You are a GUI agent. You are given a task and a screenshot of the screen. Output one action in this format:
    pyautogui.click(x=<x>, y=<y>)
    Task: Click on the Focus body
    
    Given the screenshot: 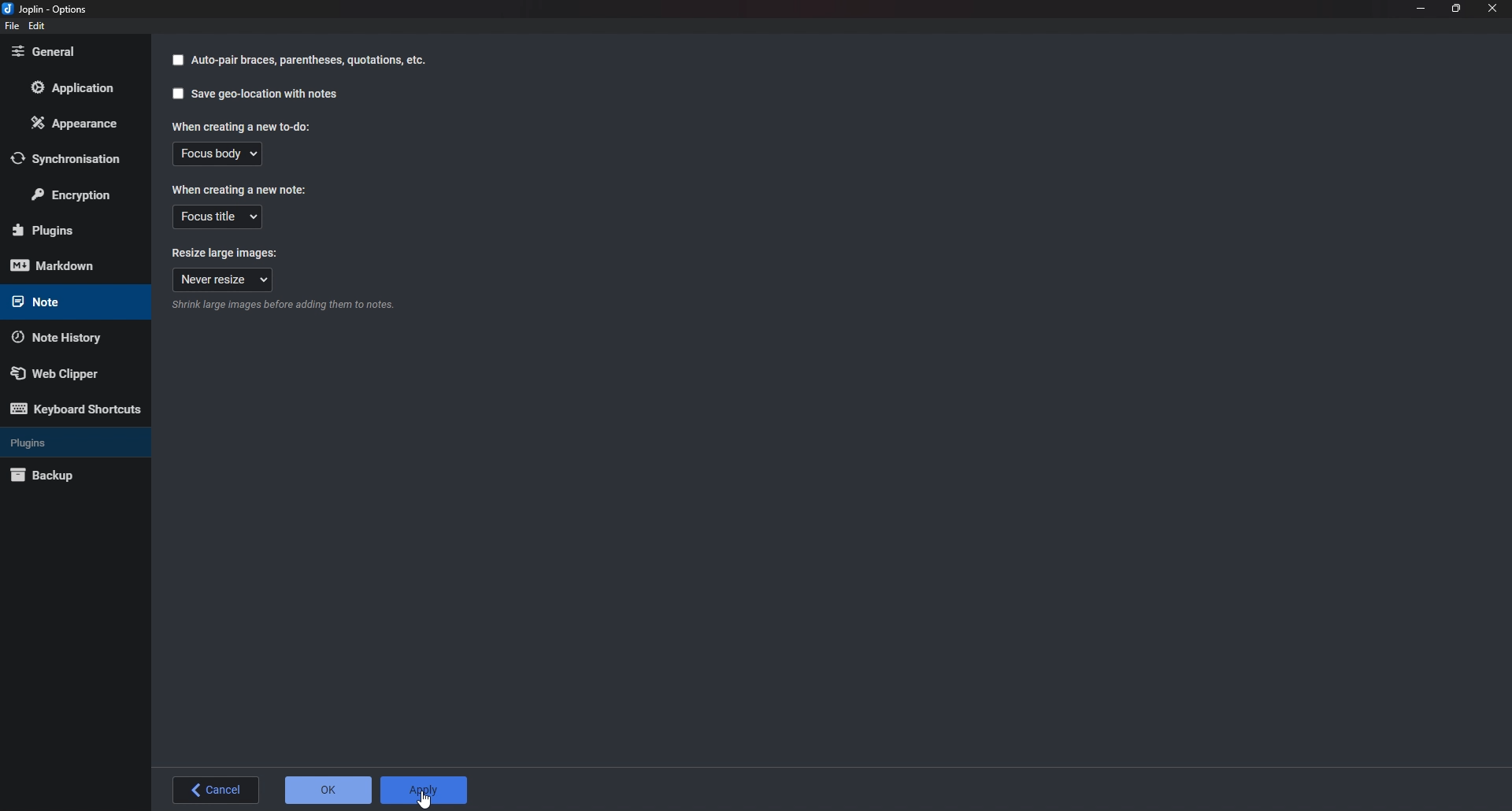 What is the action you would take?
    pyautogui.click(x=217, y=156)
    